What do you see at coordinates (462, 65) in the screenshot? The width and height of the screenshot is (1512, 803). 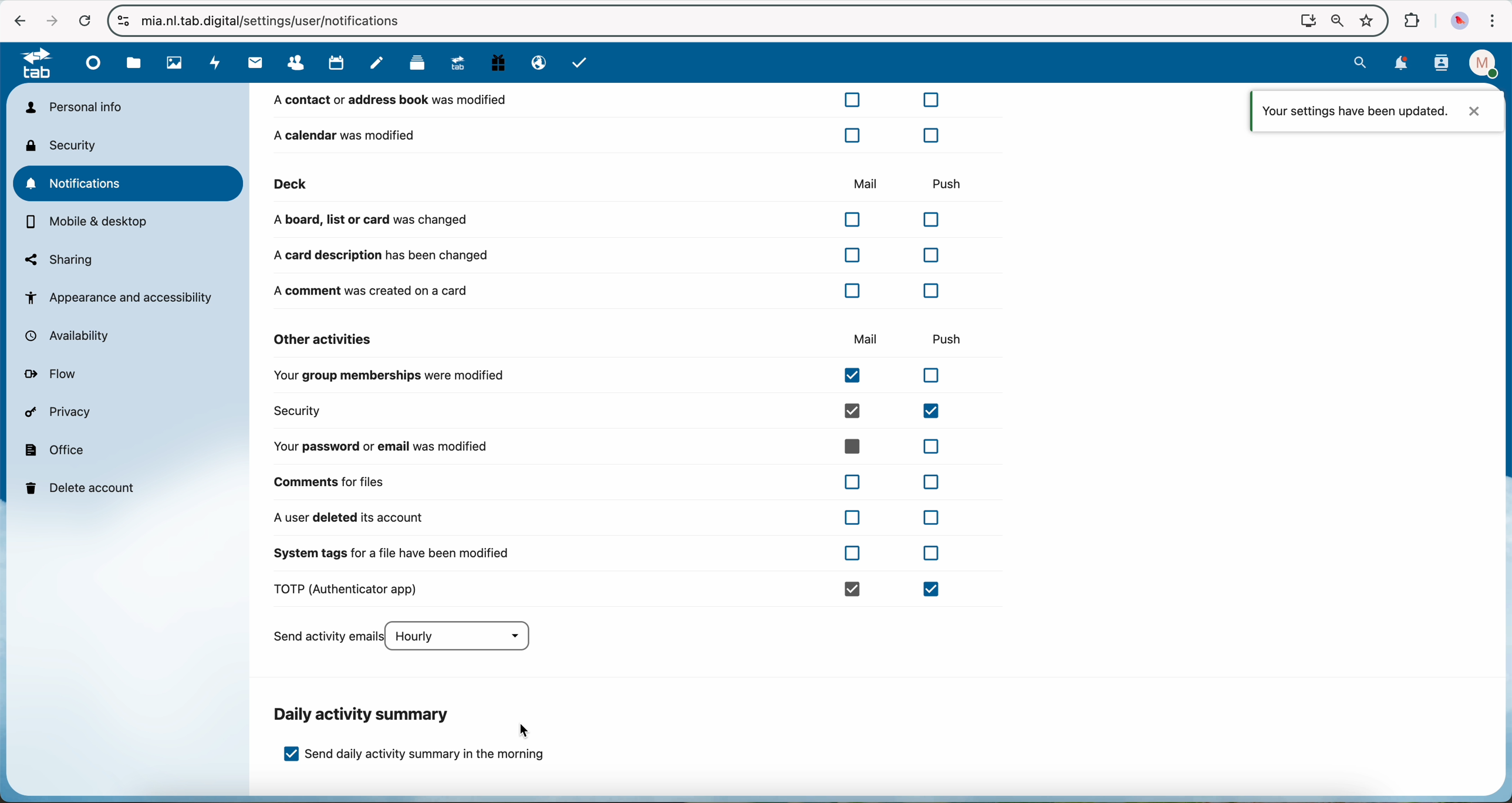 I see `upgrade` at bounding box center [462, 65].